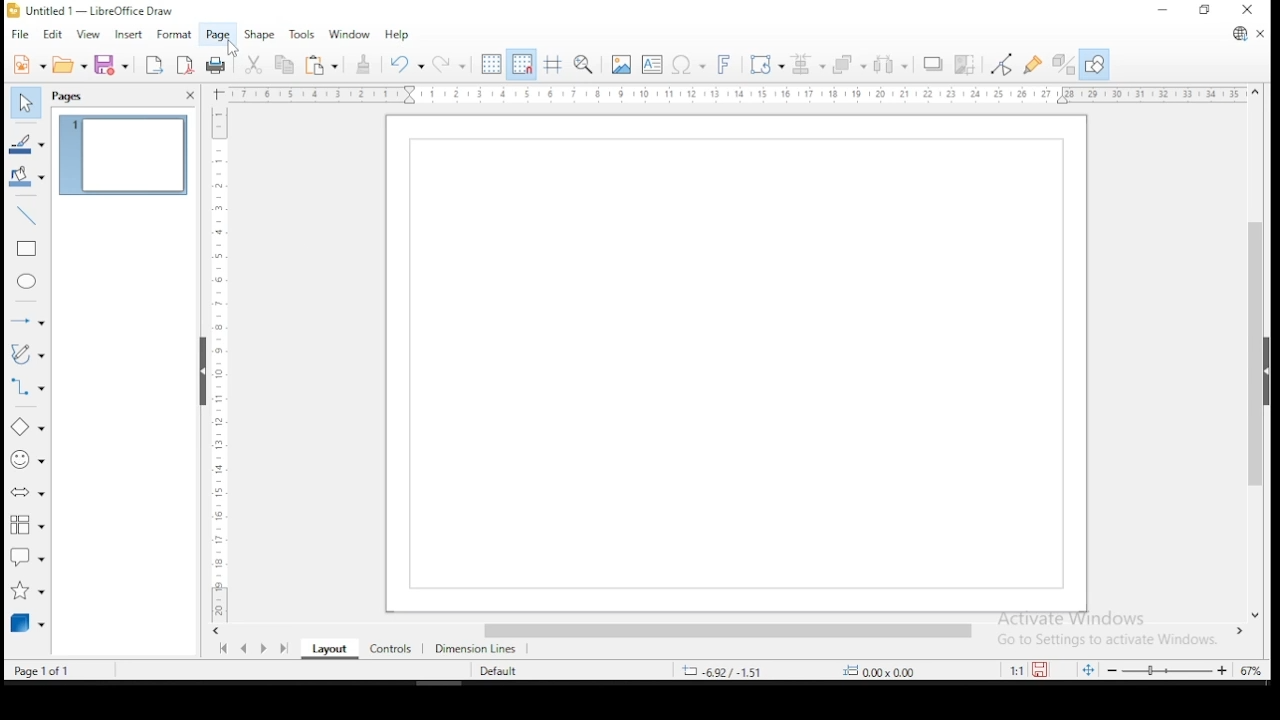  What do you see at coordinates (264, 650) in the screenshot?
I see `next page` at bounding box center [264, 650].